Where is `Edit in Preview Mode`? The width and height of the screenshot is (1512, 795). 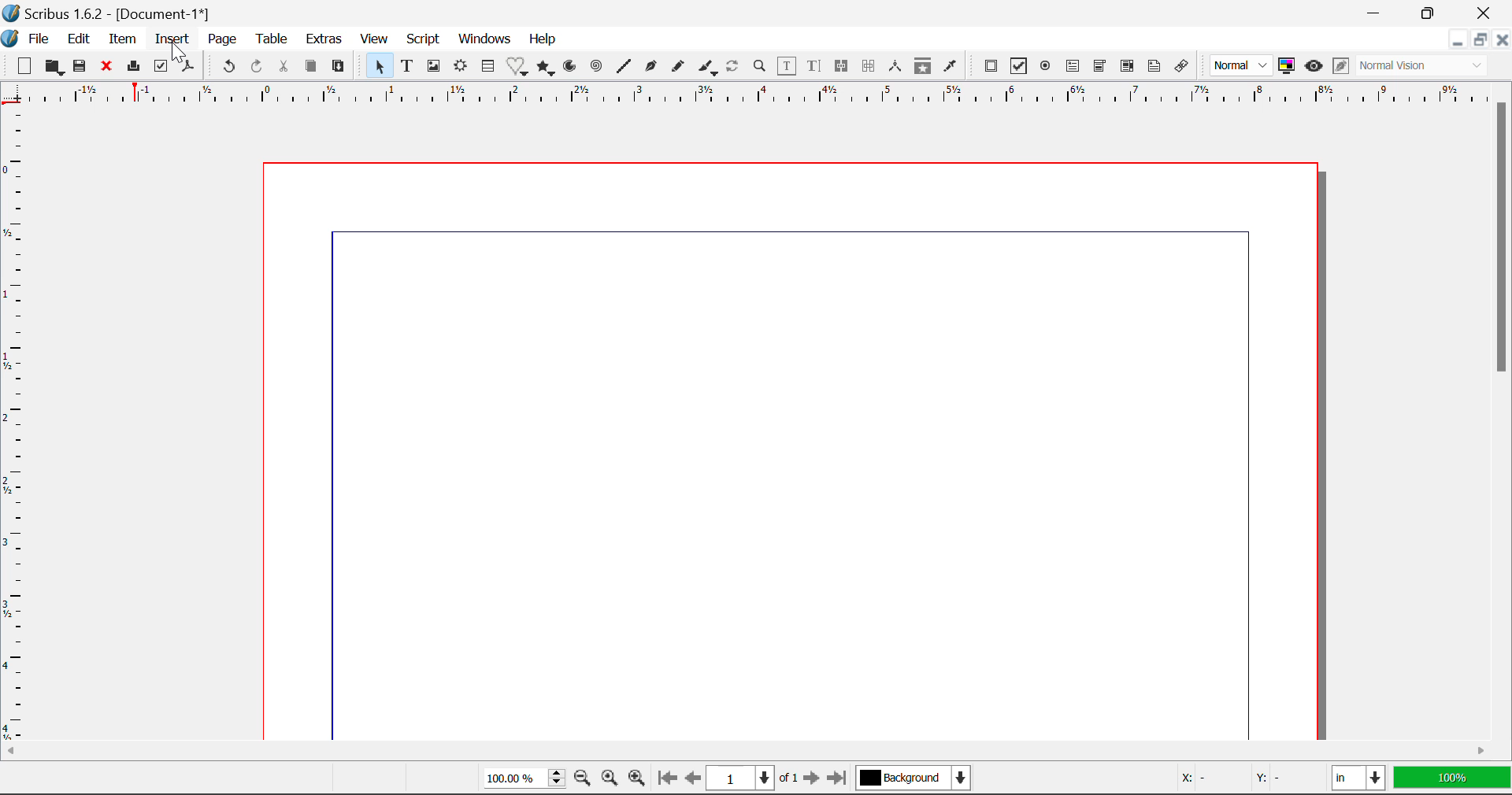 Edit in Preview Mode is located at coordinates (1340, 66).